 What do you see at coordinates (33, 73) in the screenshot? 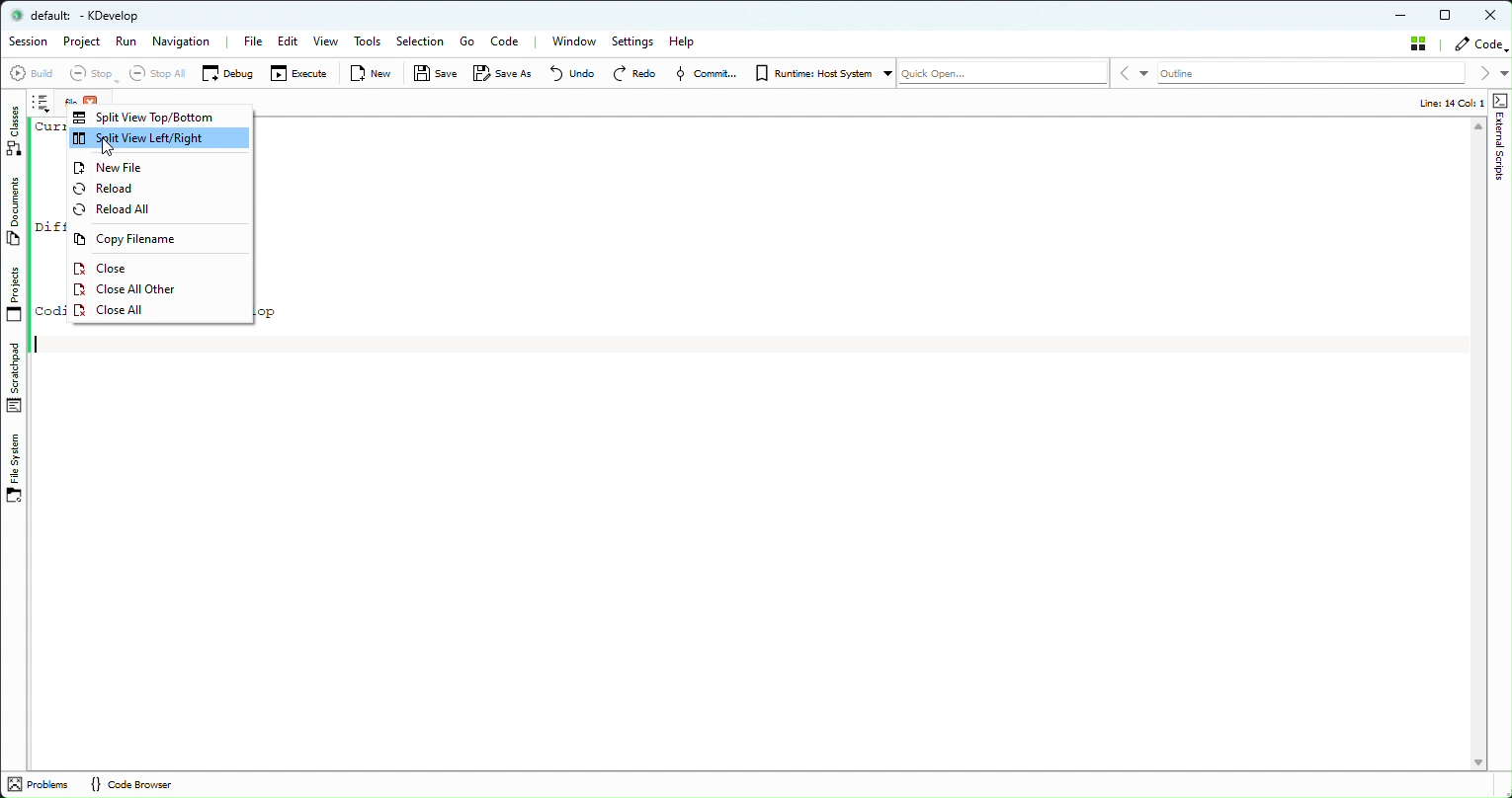
I see `Build` at bounding box center [33, 73].